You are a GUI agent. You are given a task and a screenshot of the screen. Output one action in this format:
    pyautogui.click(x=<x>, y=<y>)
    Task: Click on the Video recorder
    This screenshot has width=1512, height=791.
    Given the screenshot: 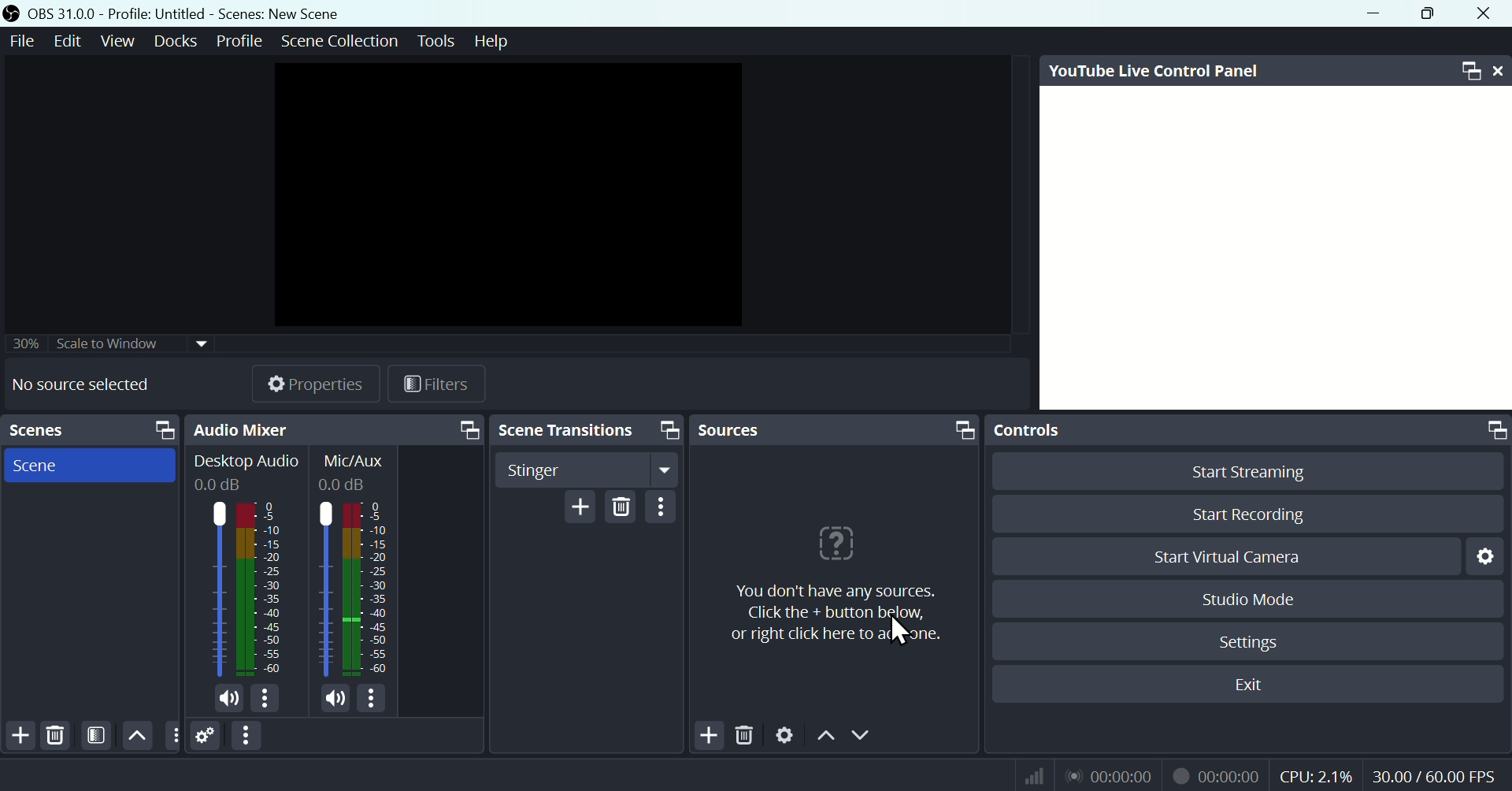 What is the action you would take?
    pyautogui.click(x=1215, y=774)
    